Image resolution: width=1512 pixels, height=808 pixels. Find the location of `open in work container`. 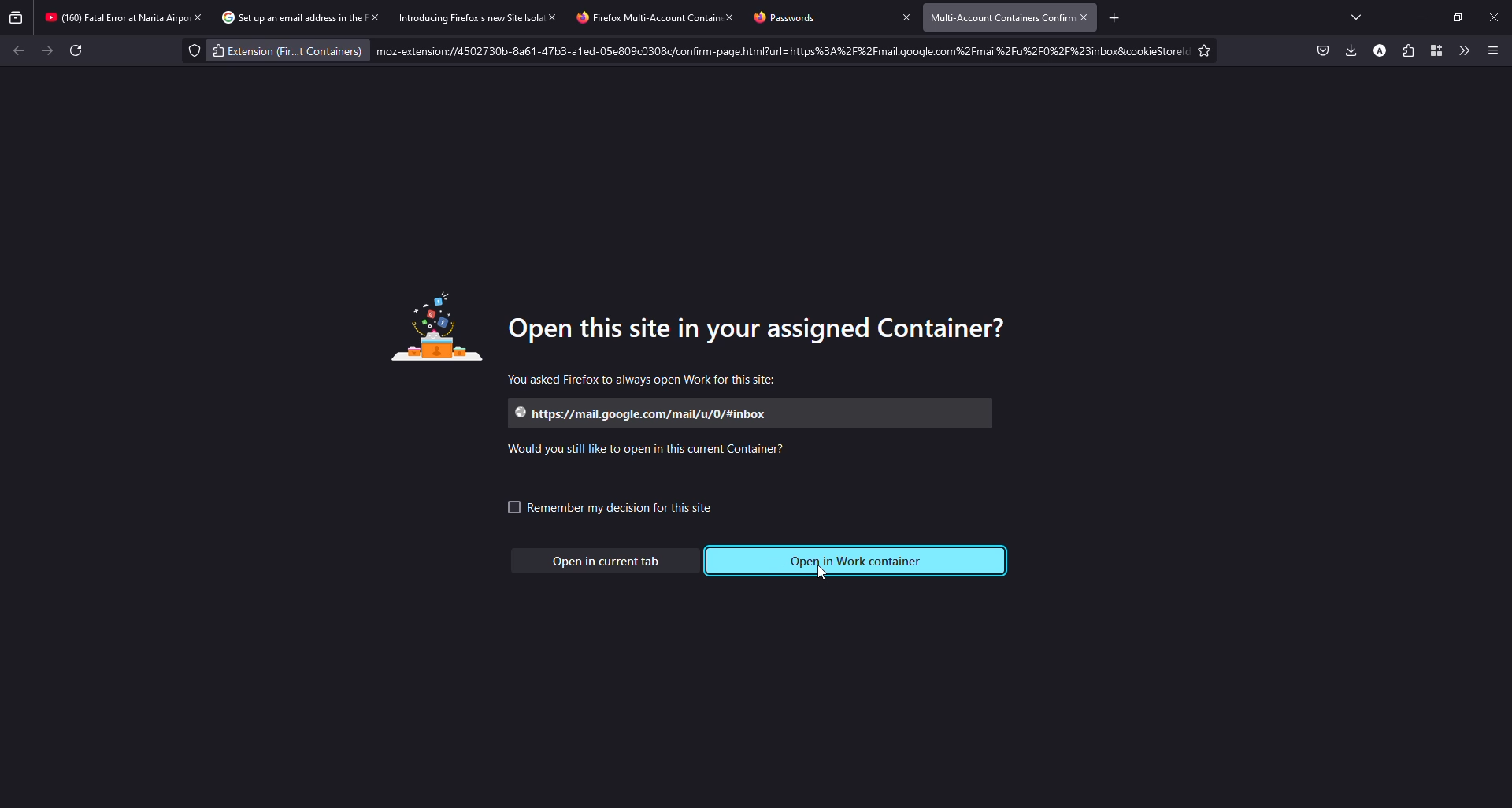

open in work container is located at coordinates (861, 561).